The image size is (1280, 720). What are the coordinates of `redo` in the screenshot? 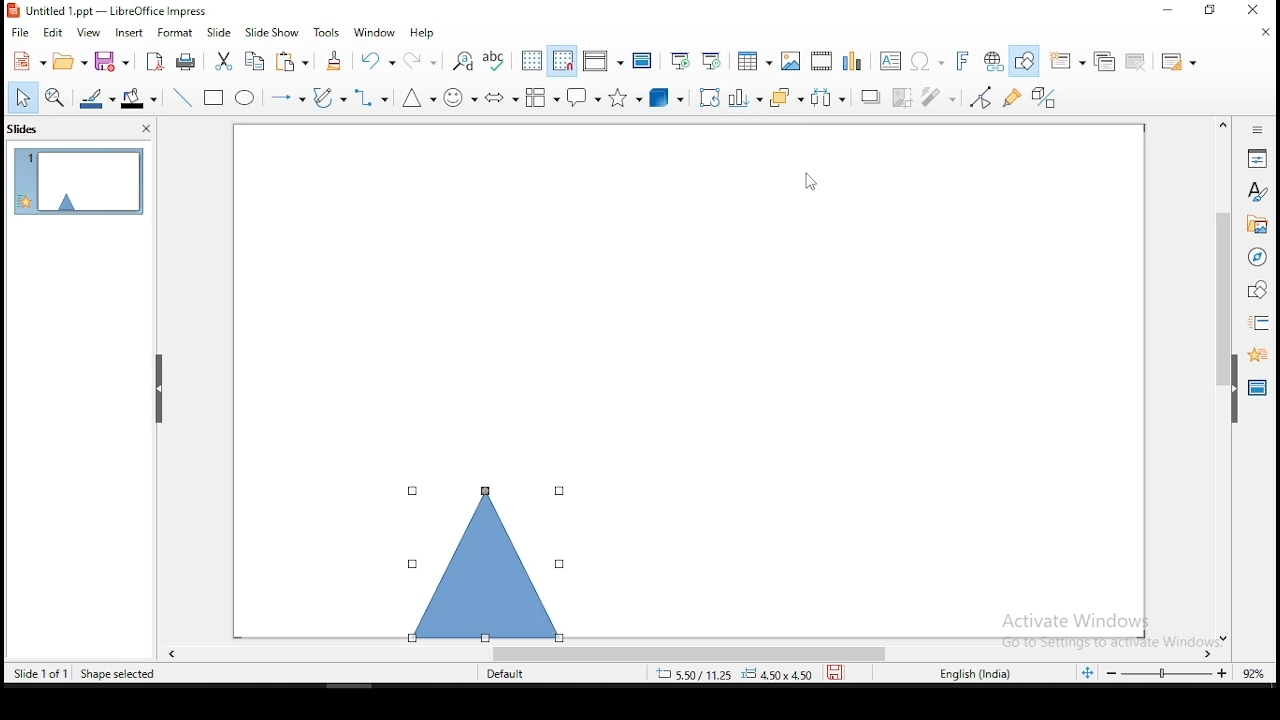 It's located at (420, 60).